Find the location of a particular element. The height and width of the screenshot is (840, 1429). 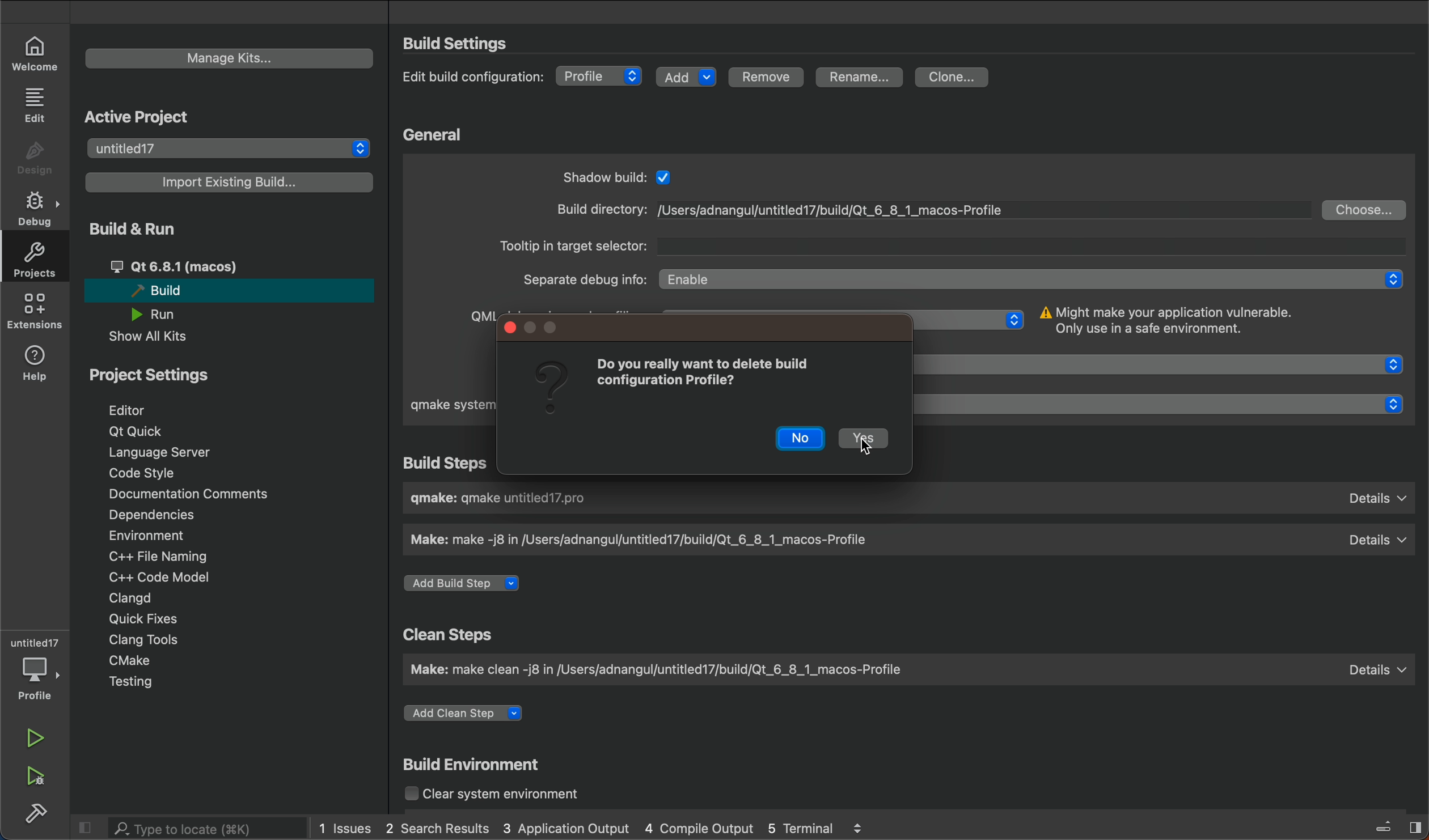

info is located at coordinates (1172, 320).